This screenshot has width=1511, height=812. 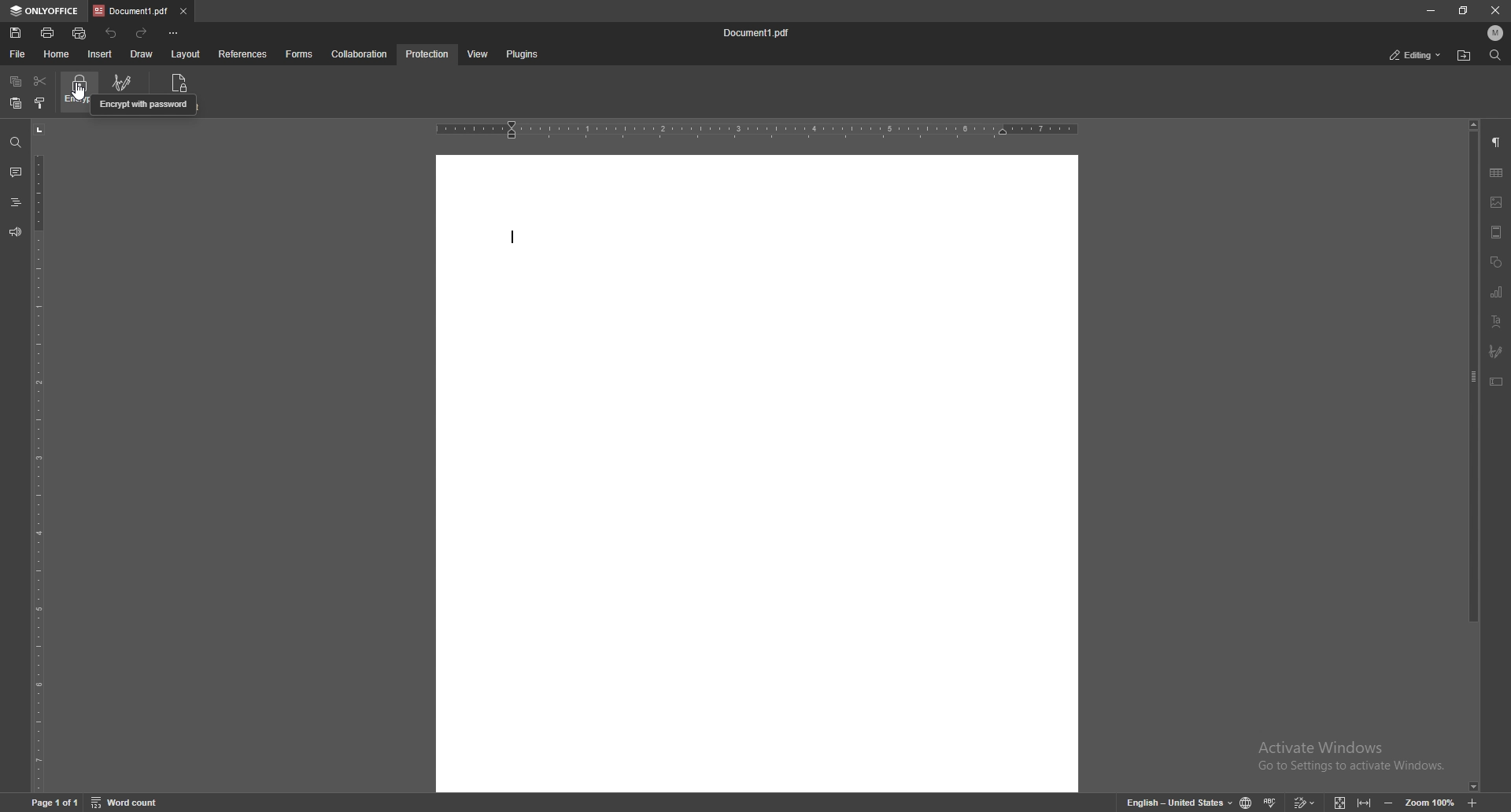 I want to click on file name, so click(x=759, y=33).